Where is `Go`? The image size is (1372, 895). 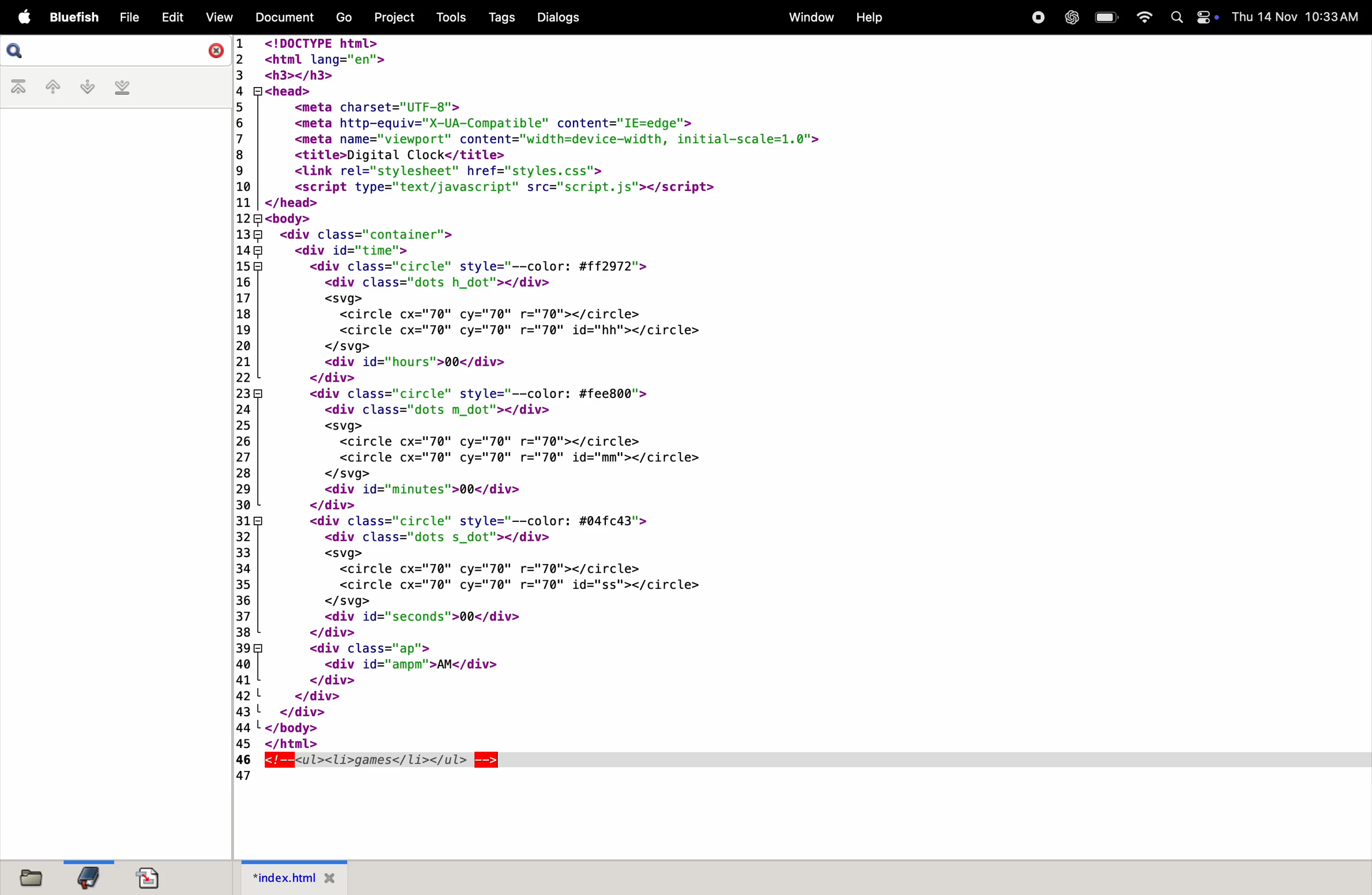
Go is located at coordinates (344, 17).